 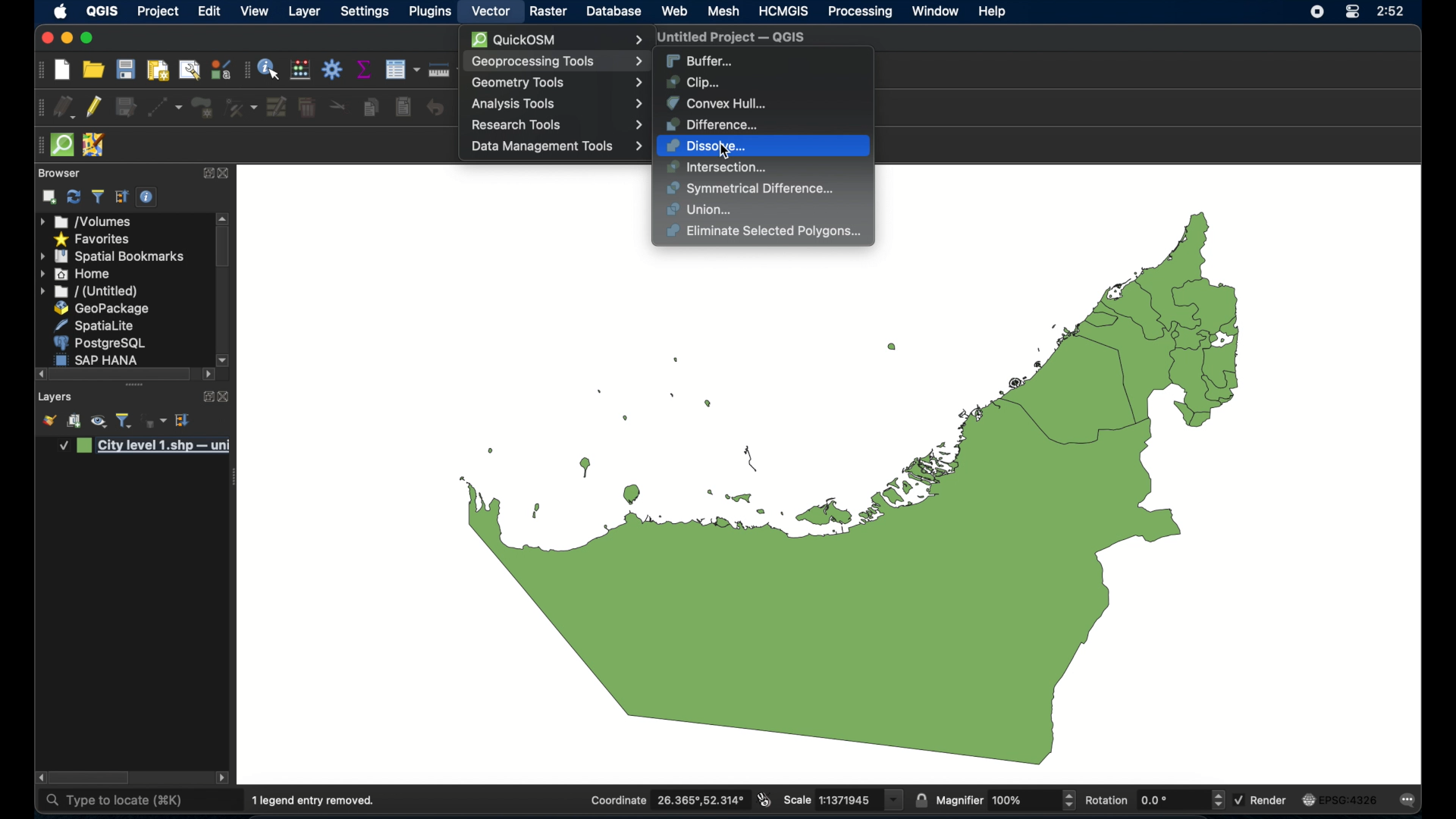 I want to click on type to locate, so click(x=113, y=801).